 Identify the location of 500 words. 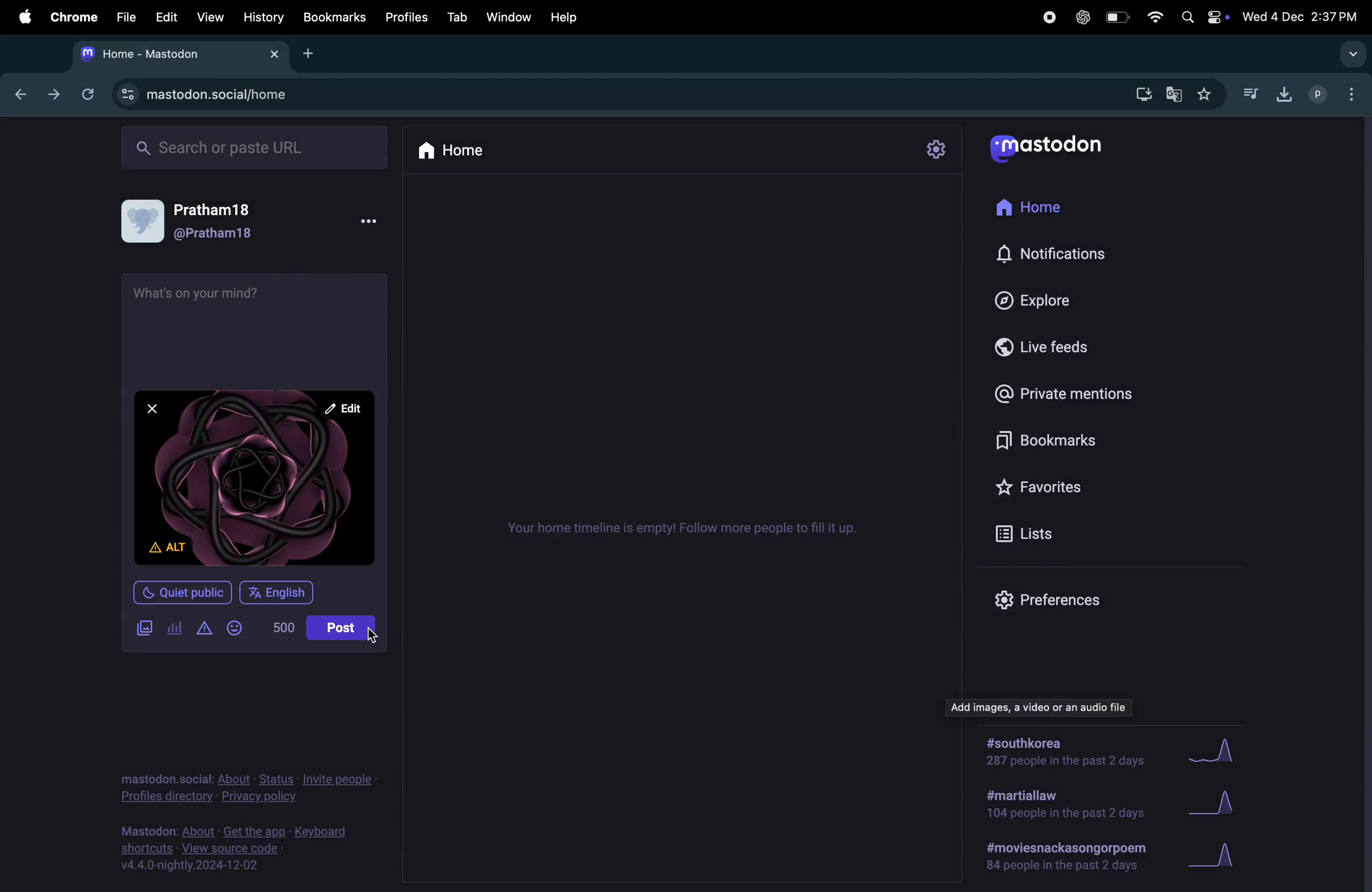
(279, 630).